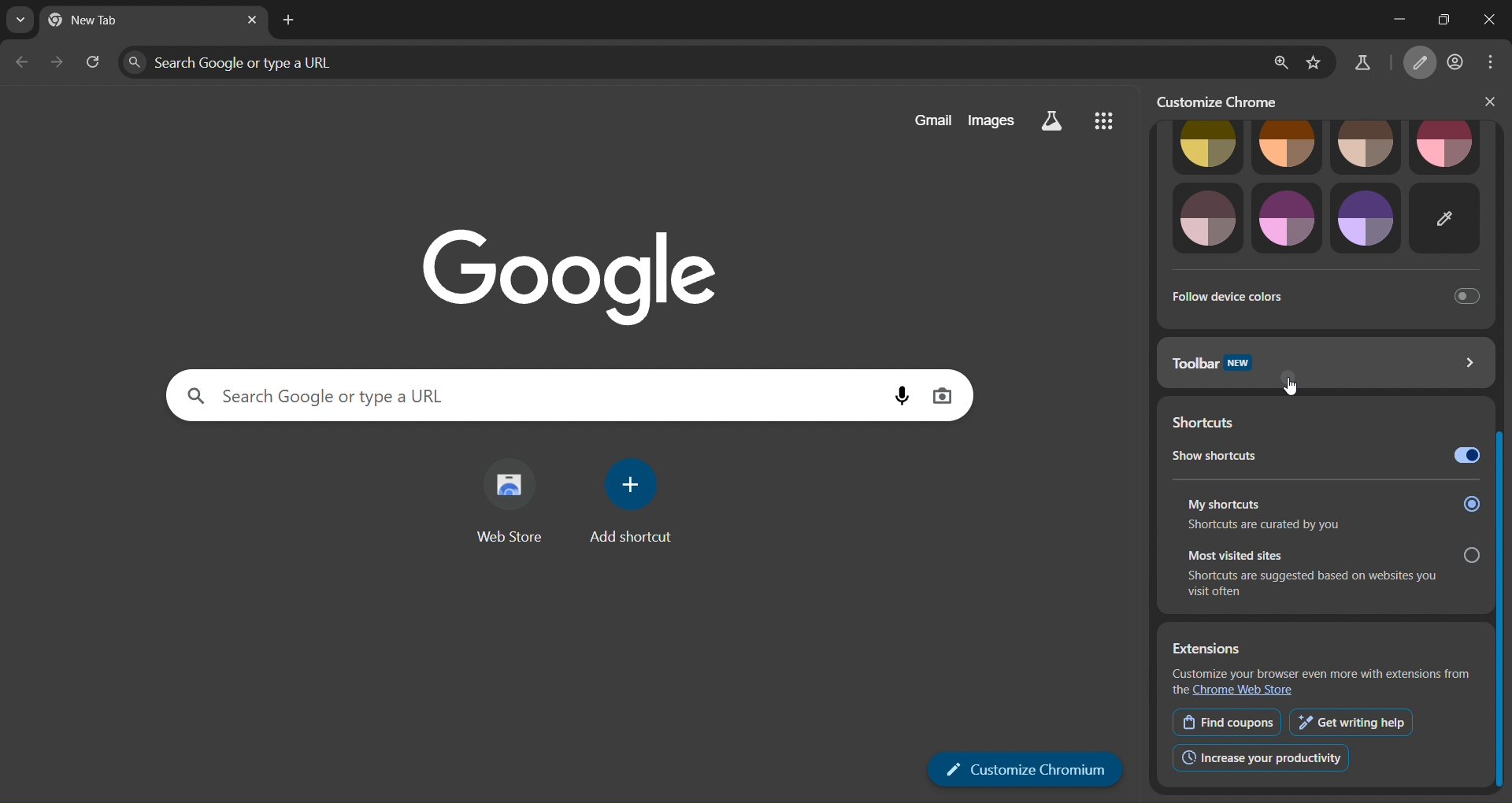 Image resolution: width=1512 pixels, height=803 pixels. Describe the element at coordinates (902, 396) in the screenshot. I see `voice search` at that location.